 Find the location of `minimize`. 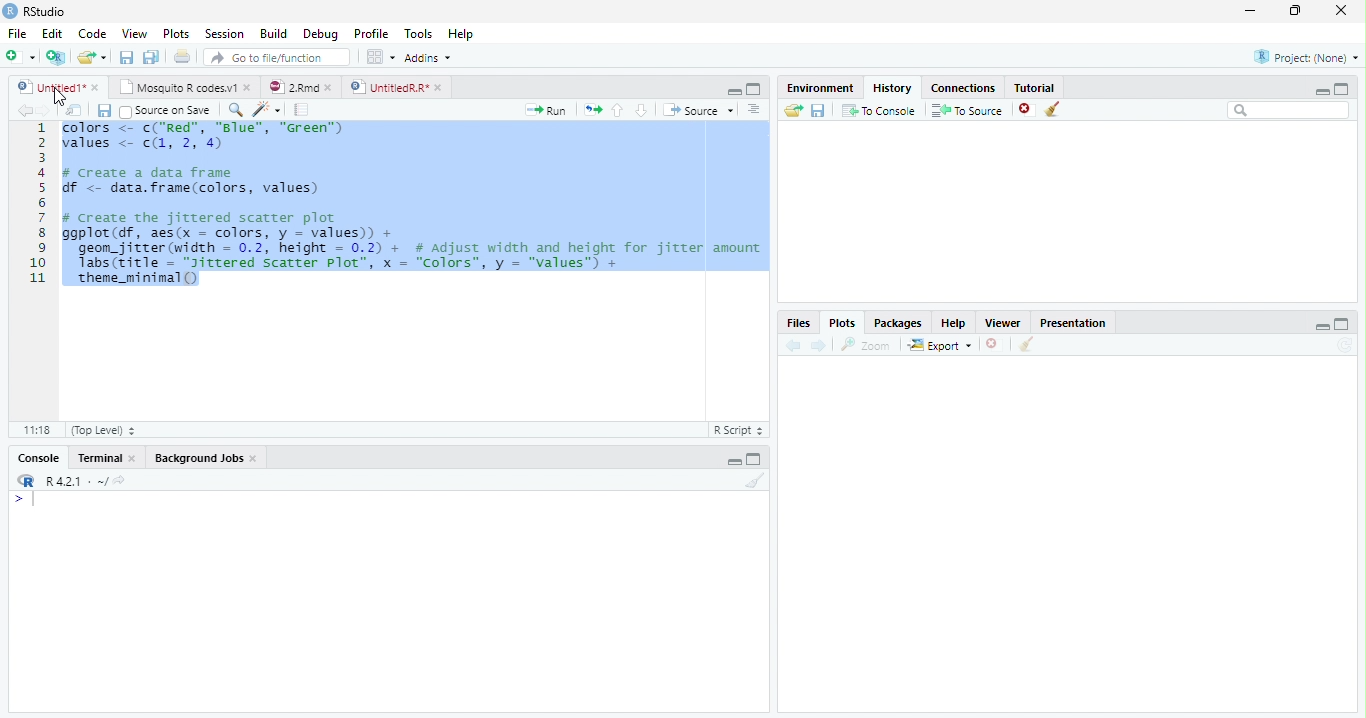

minimize is located at coordinates (1251, 10).